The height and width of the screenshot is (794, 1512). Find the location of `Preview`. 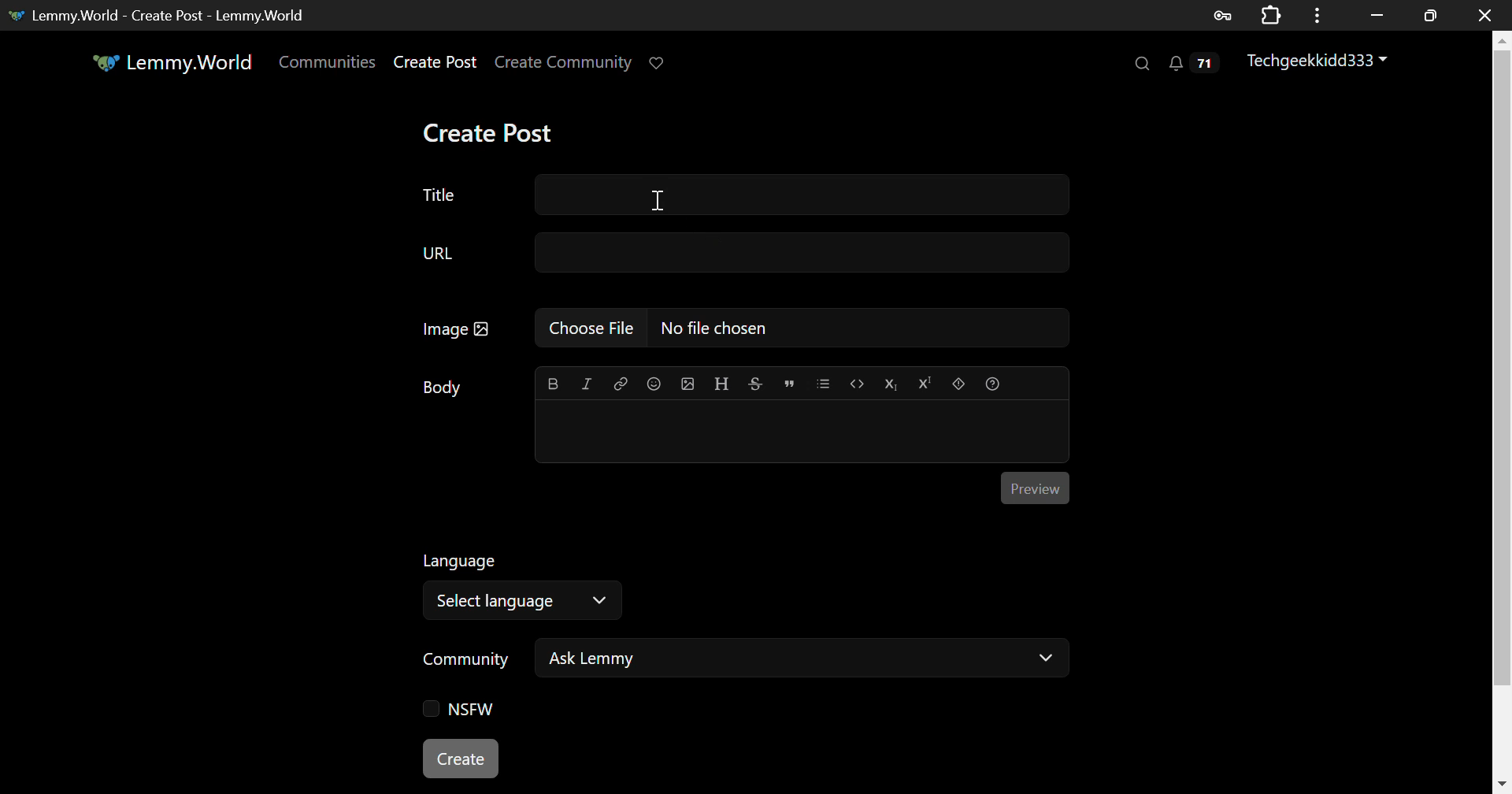

Preview is located at coordinates (1036, 488).